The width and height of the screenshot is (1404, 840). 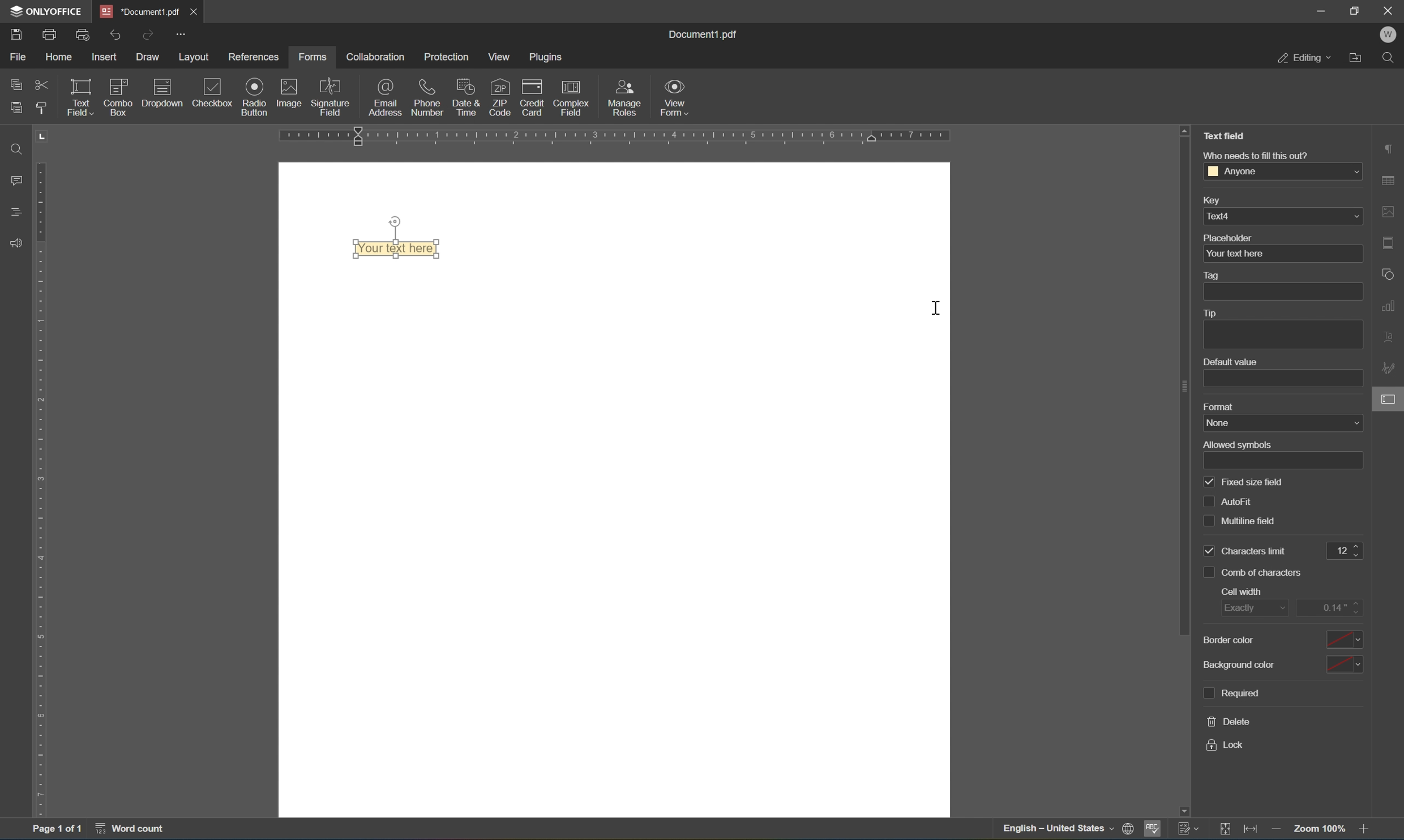 I want to click on set document language, so click(x=1126, y=830).